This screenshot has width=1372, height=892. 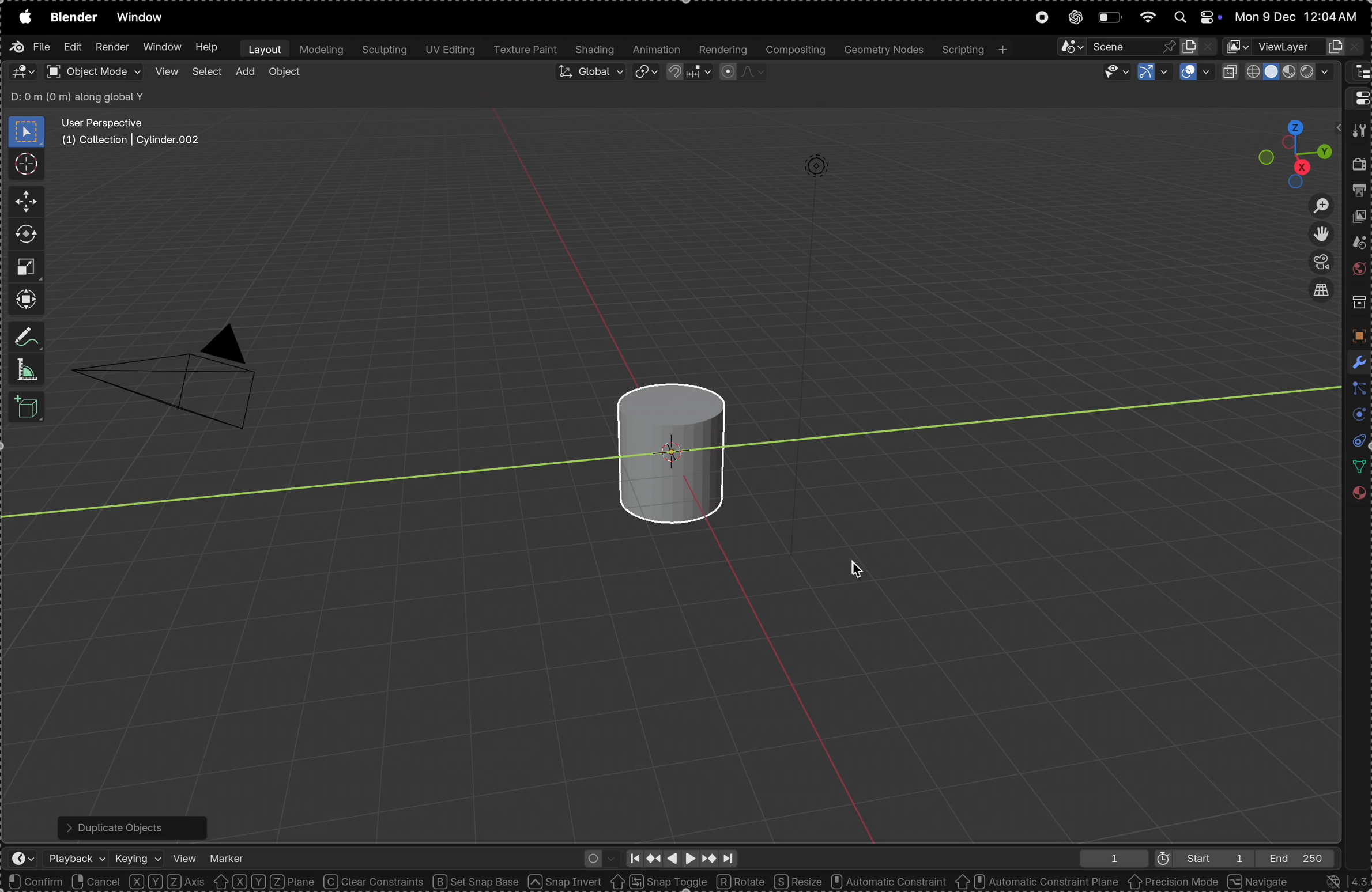 What do you see at coordinates (882, 49) in the screenshot?
I see `Geometry notes` at bounding box center [882, 49].